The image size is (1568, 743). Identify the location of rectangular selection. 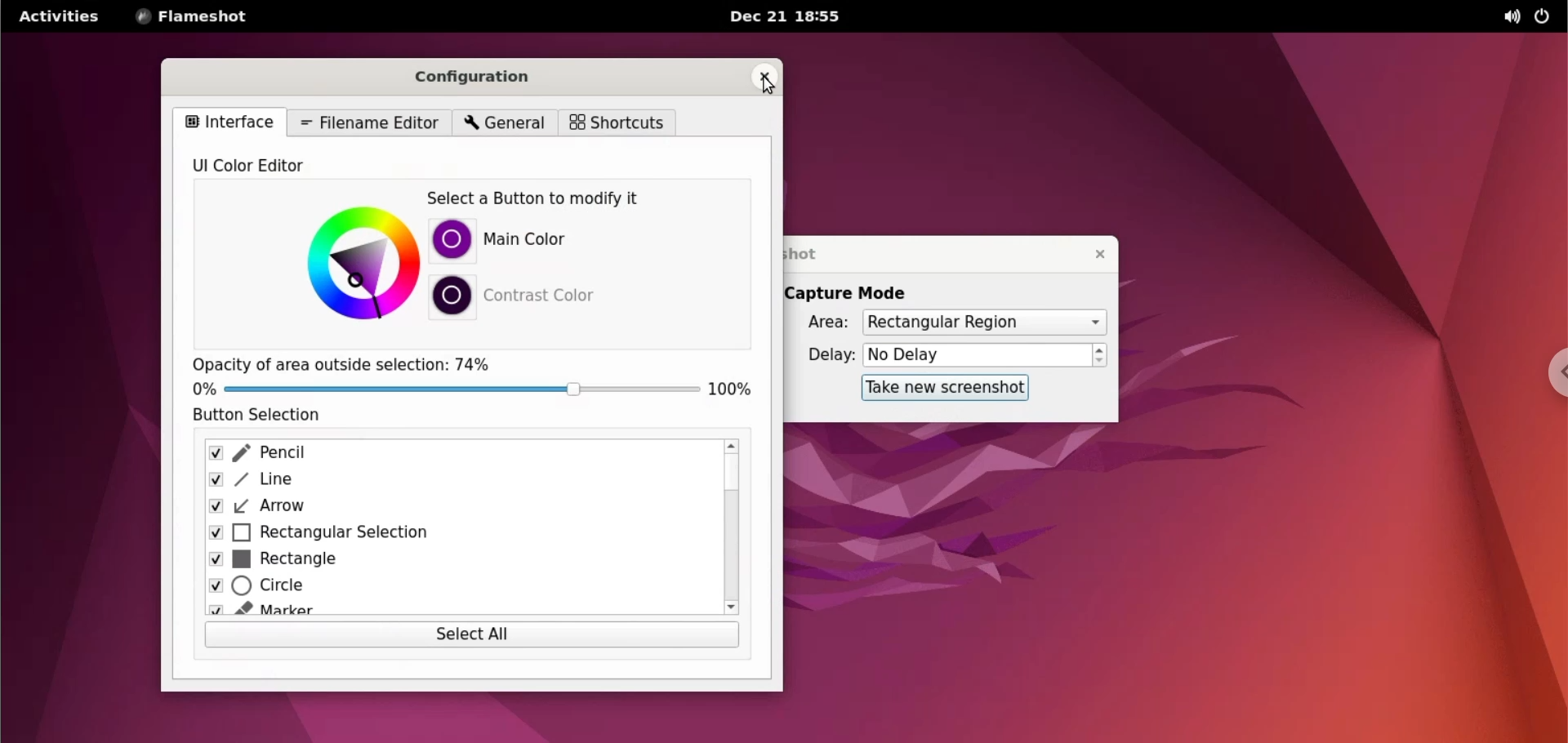
(454, 532).